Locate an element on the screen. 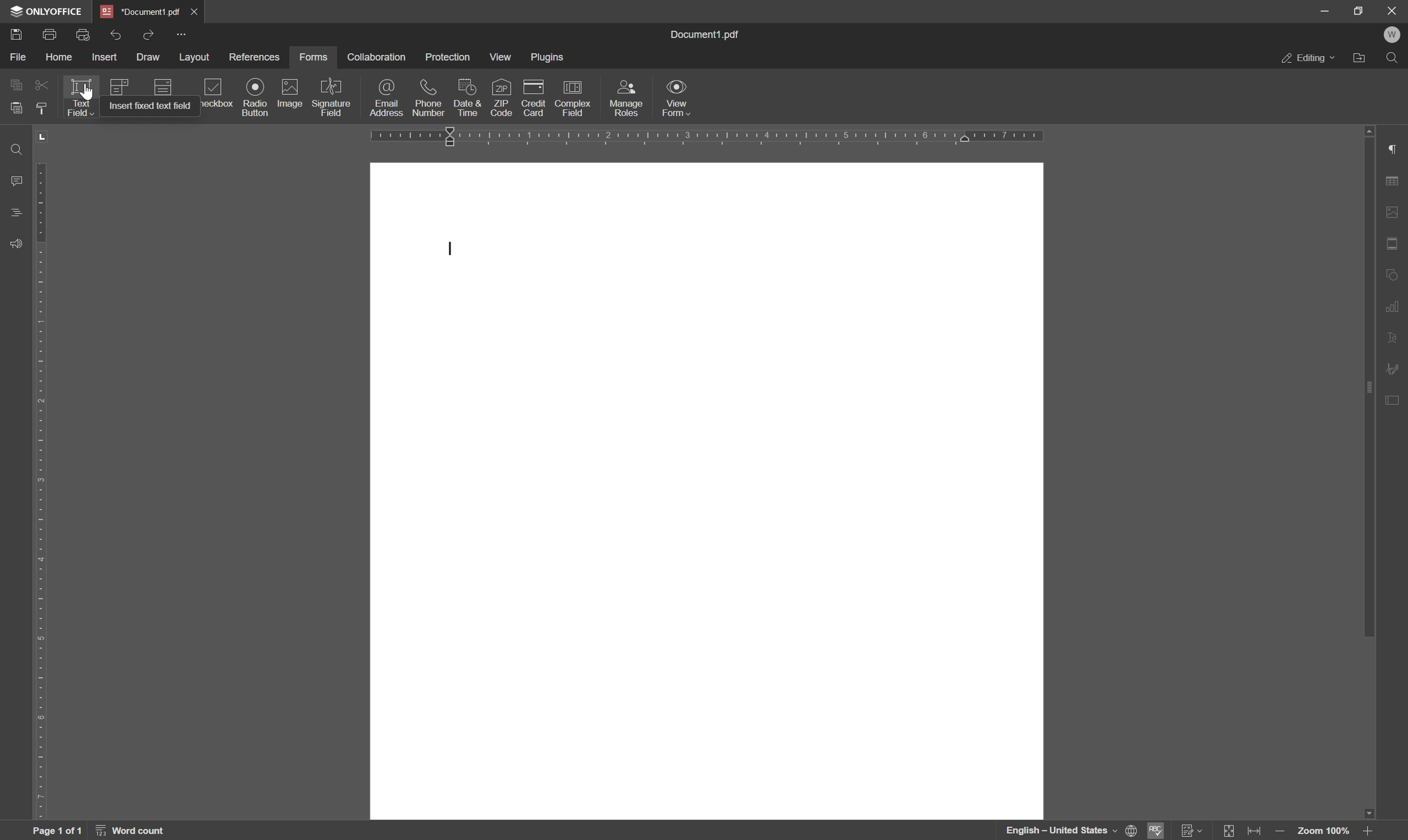  phone number is located at coordinates (427, 99).